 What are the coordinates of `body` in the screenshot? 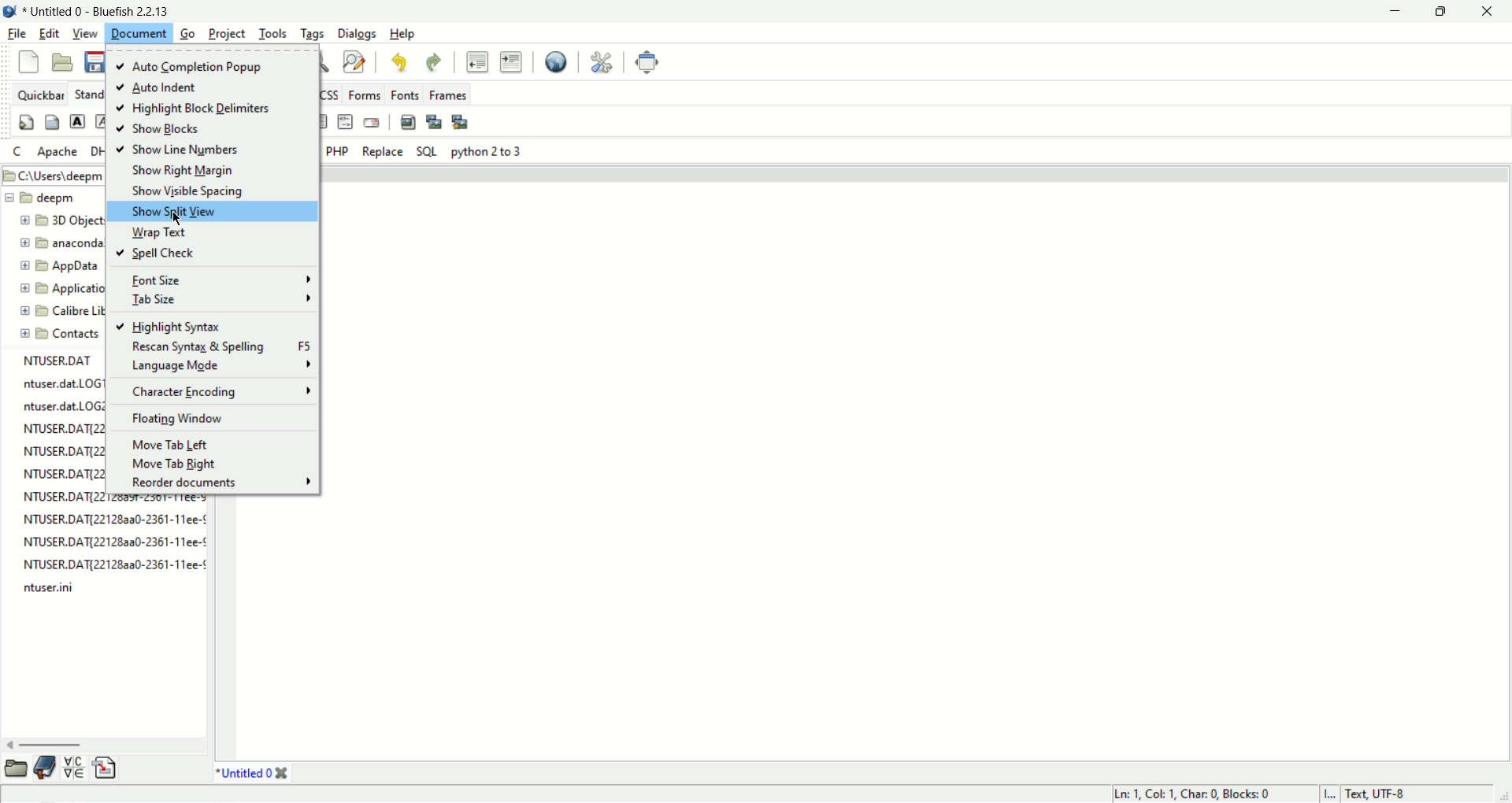 It's located at (54, 122).